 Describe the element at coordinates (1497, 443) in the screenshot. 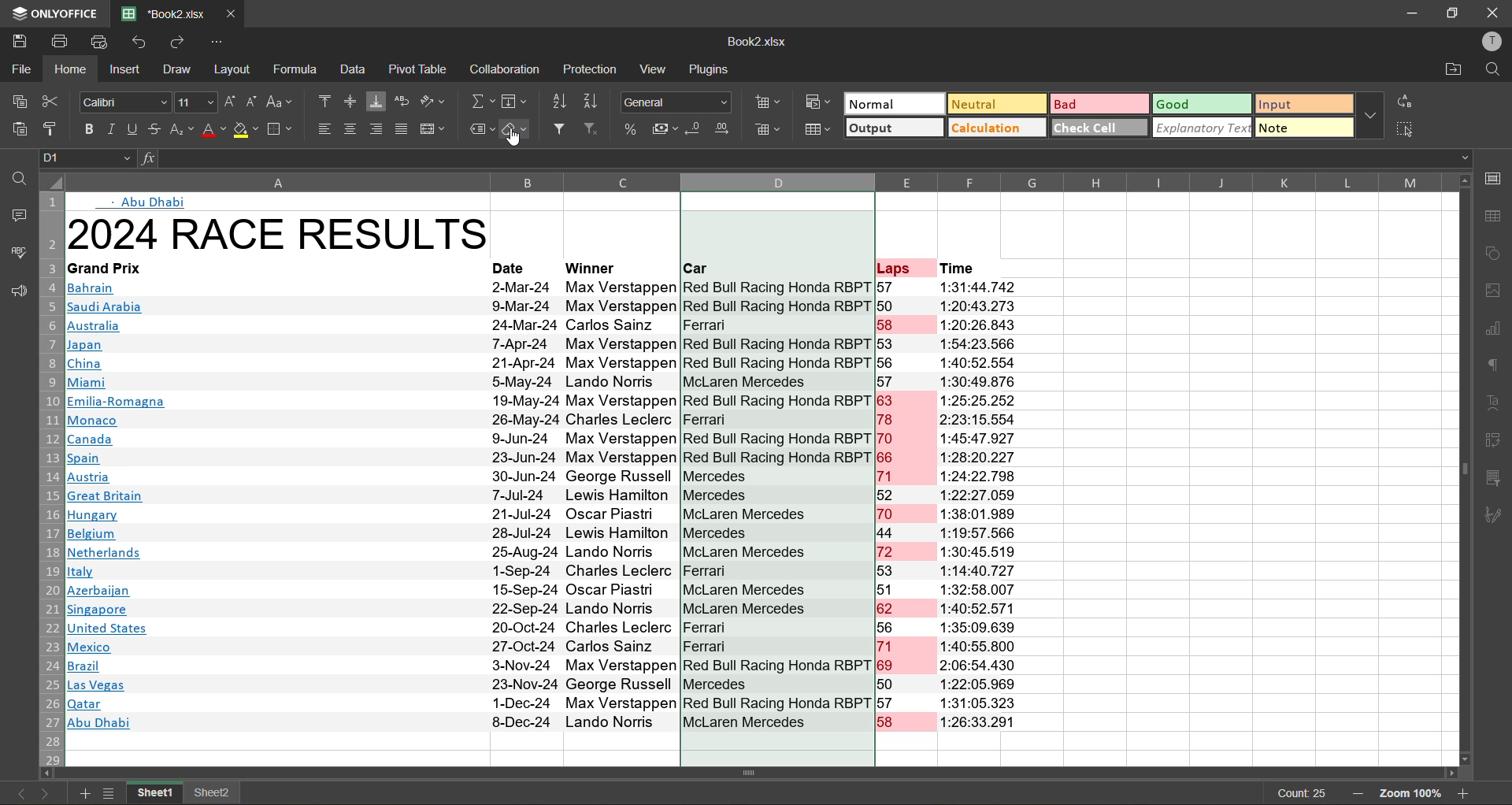

I see `pivot table` at that location.